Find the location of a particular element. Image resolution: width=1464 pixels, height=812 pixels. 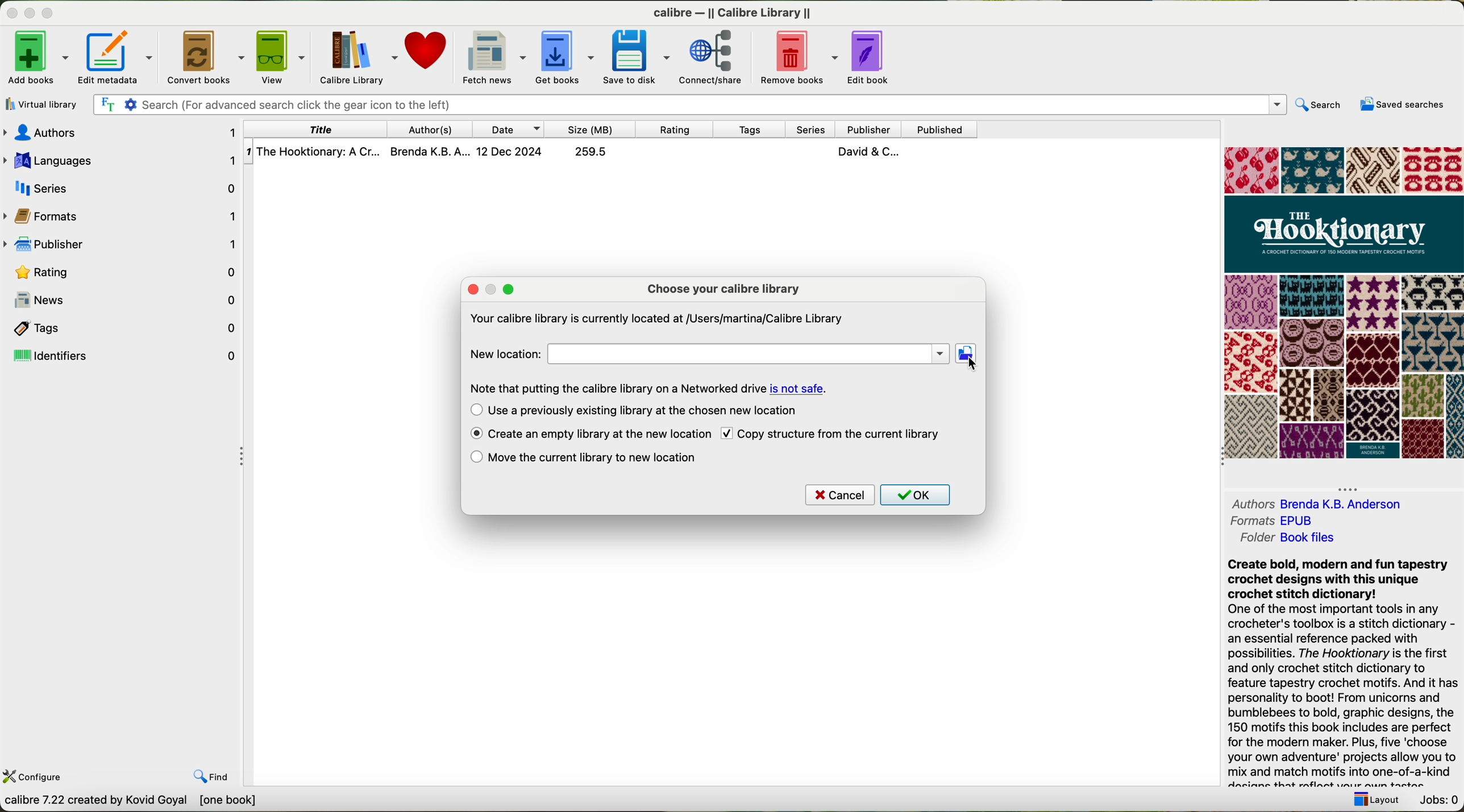

cursor is located at coordinates (971, 362).